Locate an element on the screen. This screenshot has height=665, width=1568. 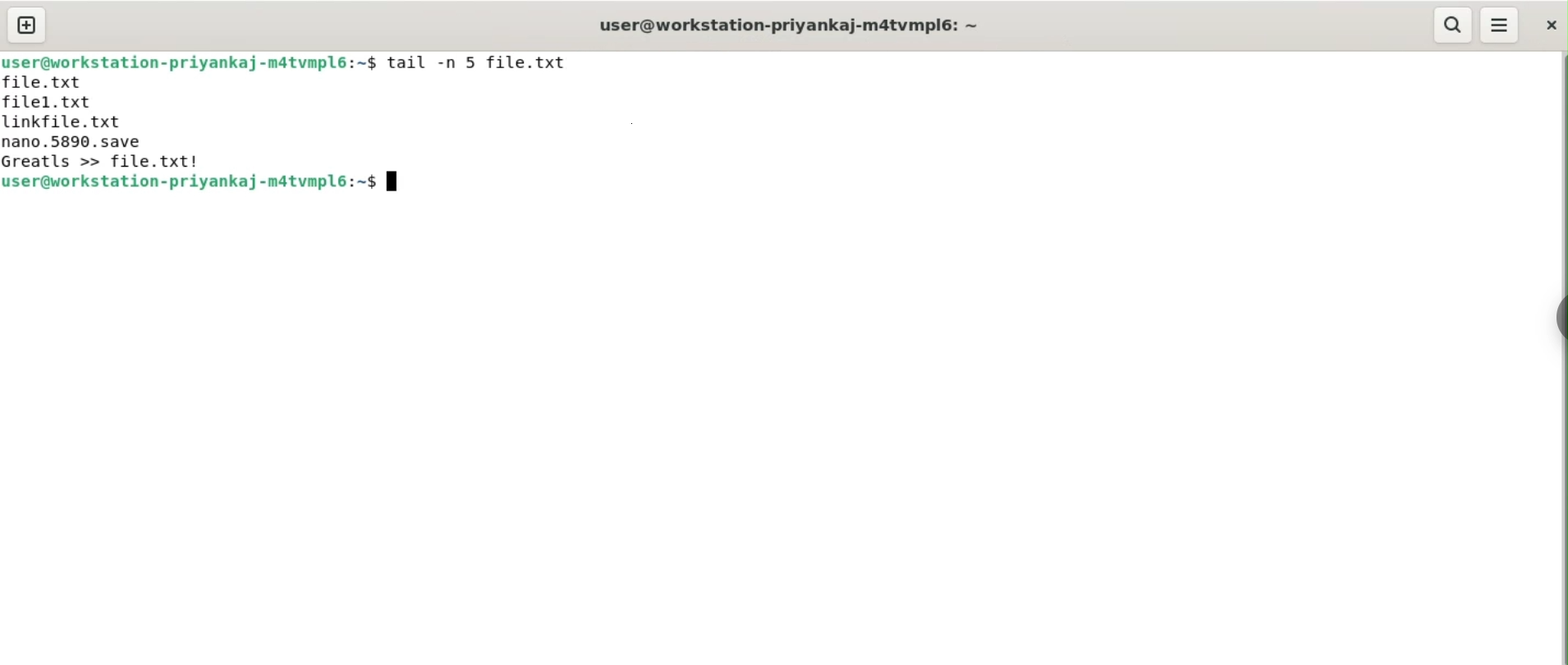
search is located at coordinates (1455, 25).